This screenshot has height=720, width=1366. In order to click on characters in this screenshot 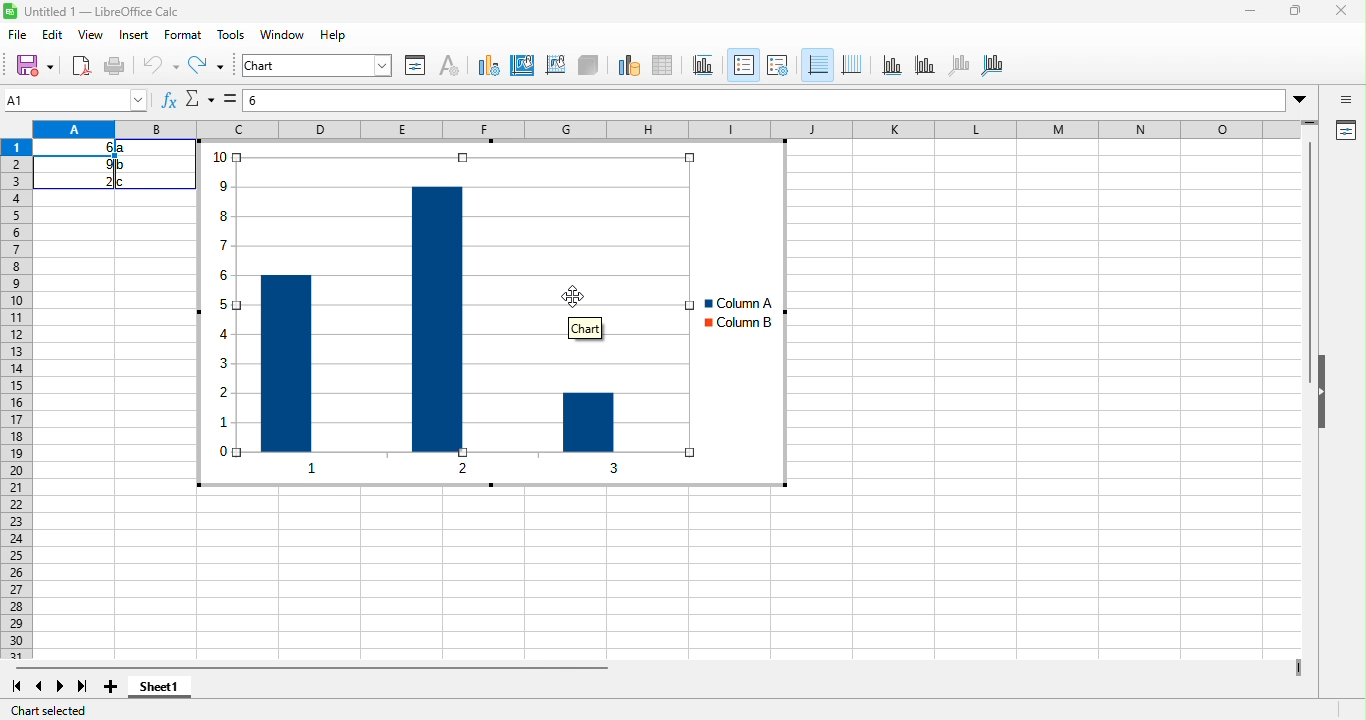, I will do `click(448, 64)`.